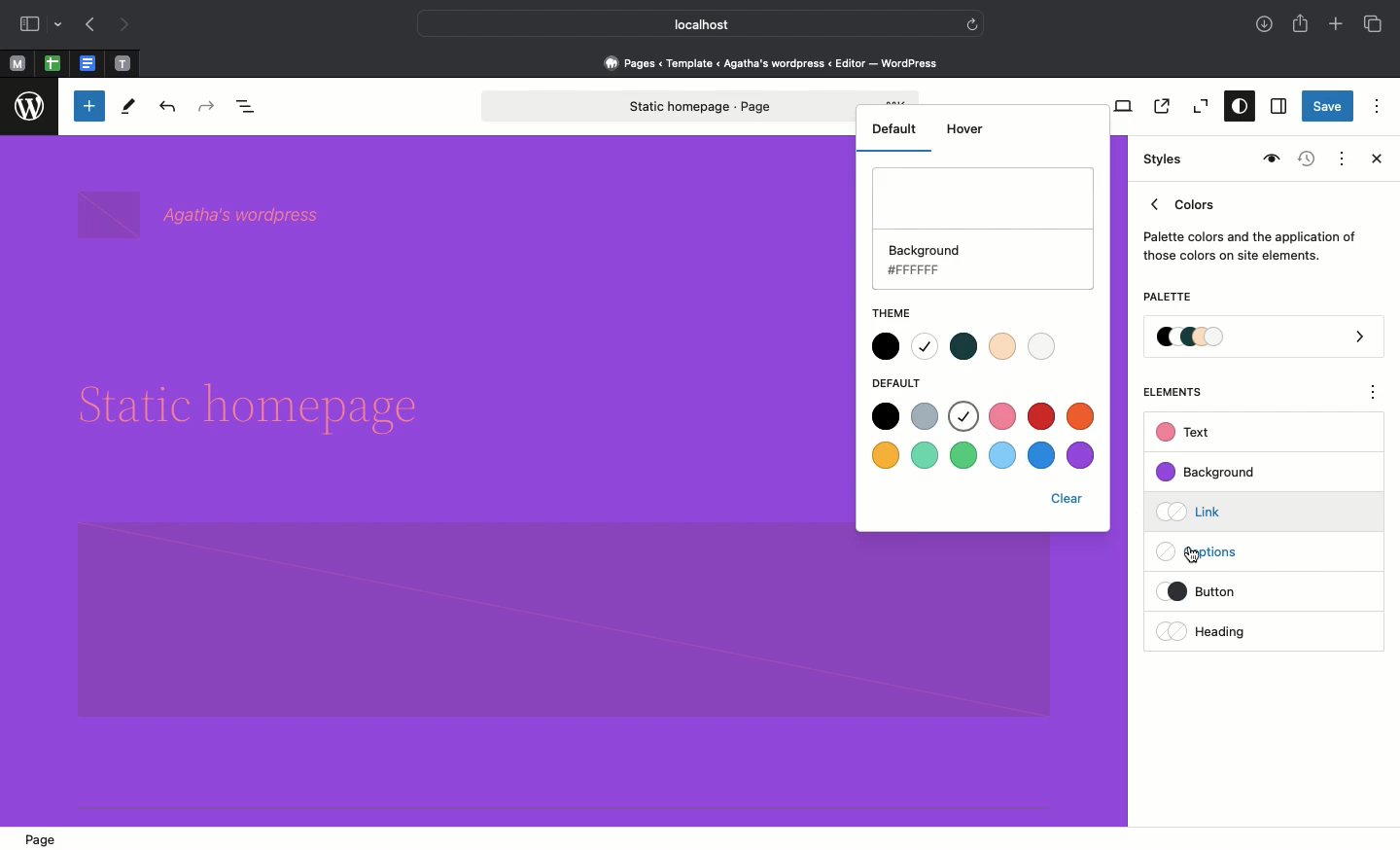  I want to click on Tools, so click(129, 111).